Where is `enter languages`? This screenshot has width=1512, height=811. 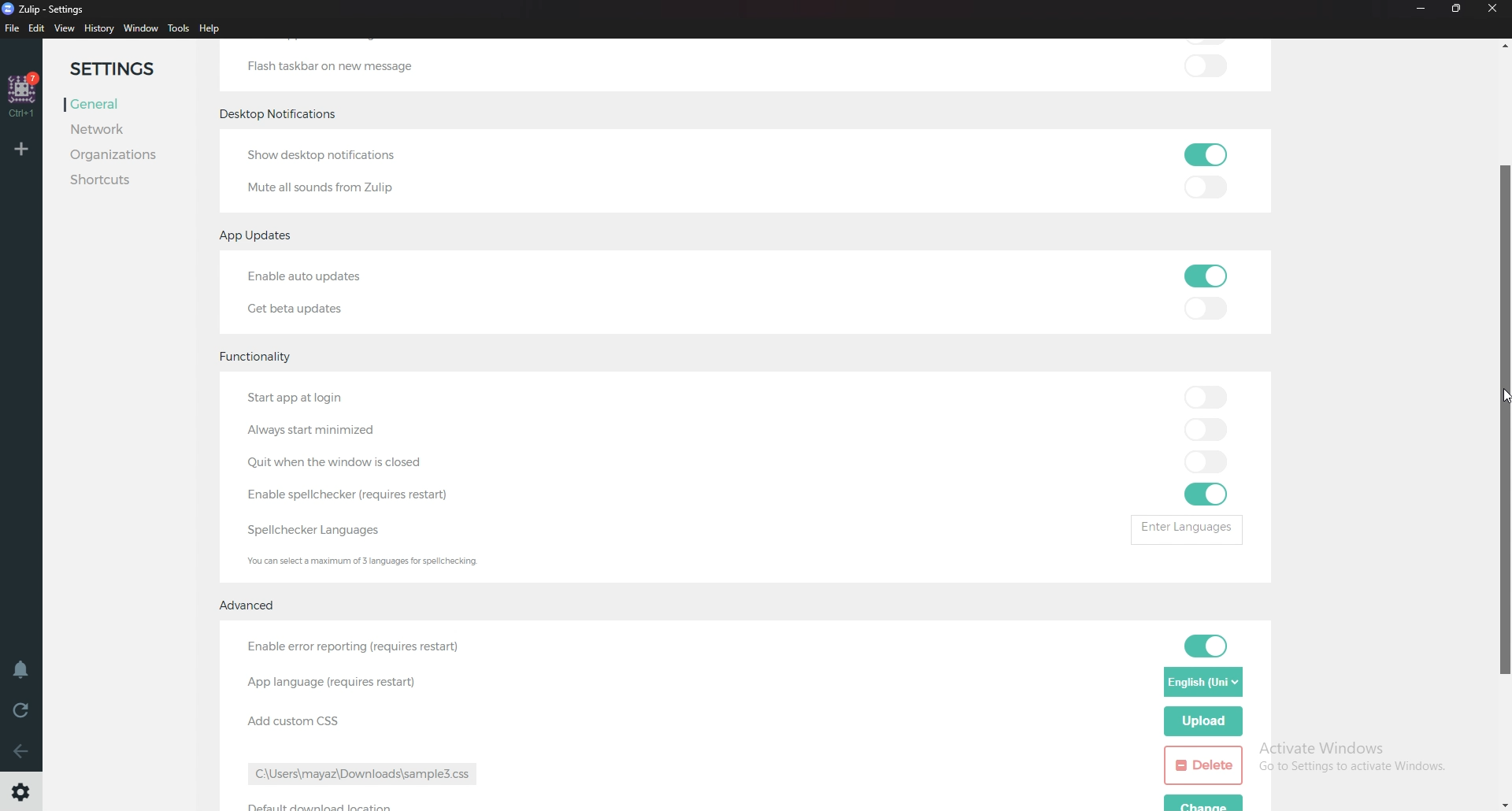
enter languages is located at coordinates (1184, 528).